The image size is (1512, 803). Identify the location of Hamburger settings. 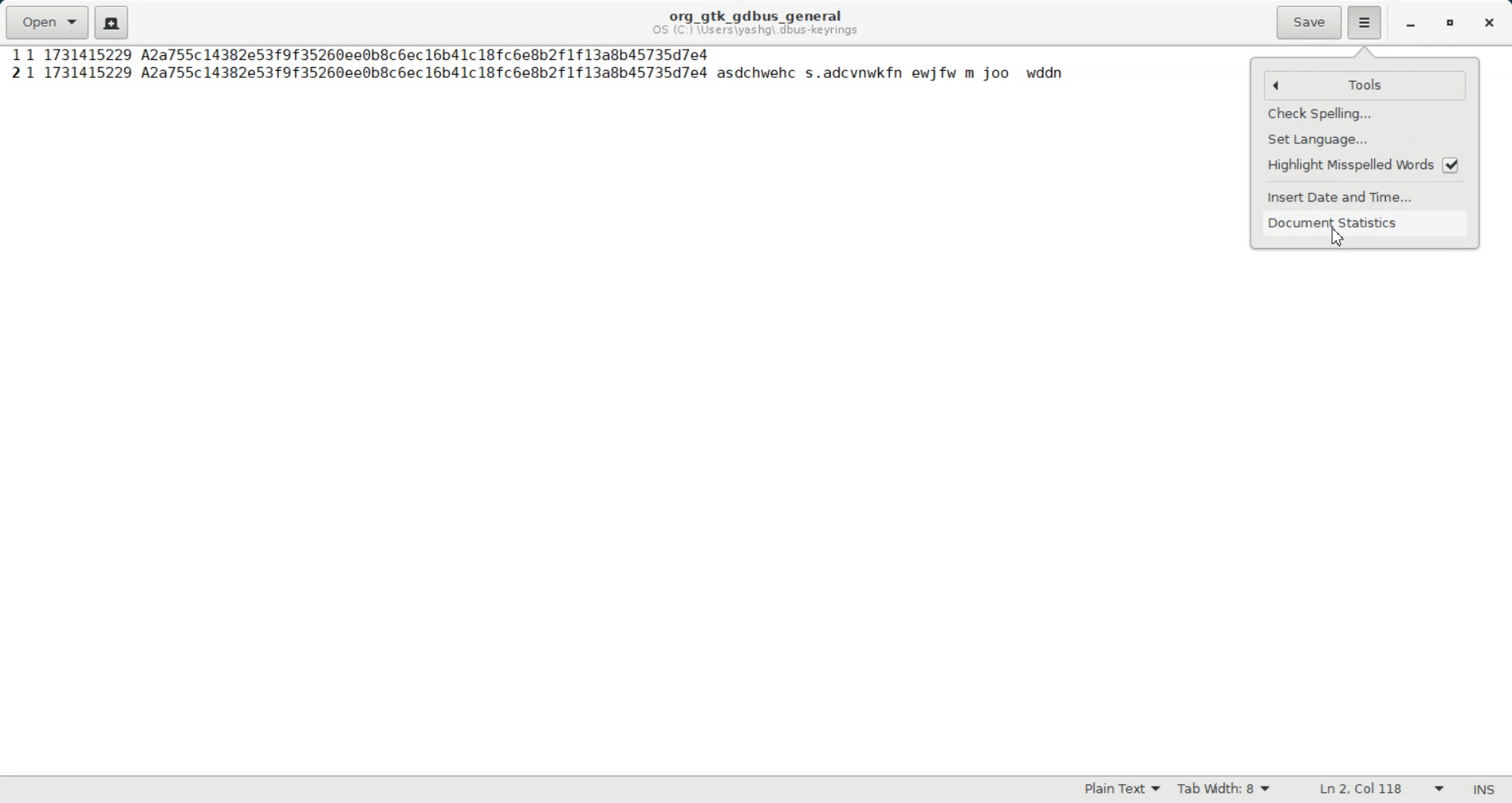
(1366, 23).